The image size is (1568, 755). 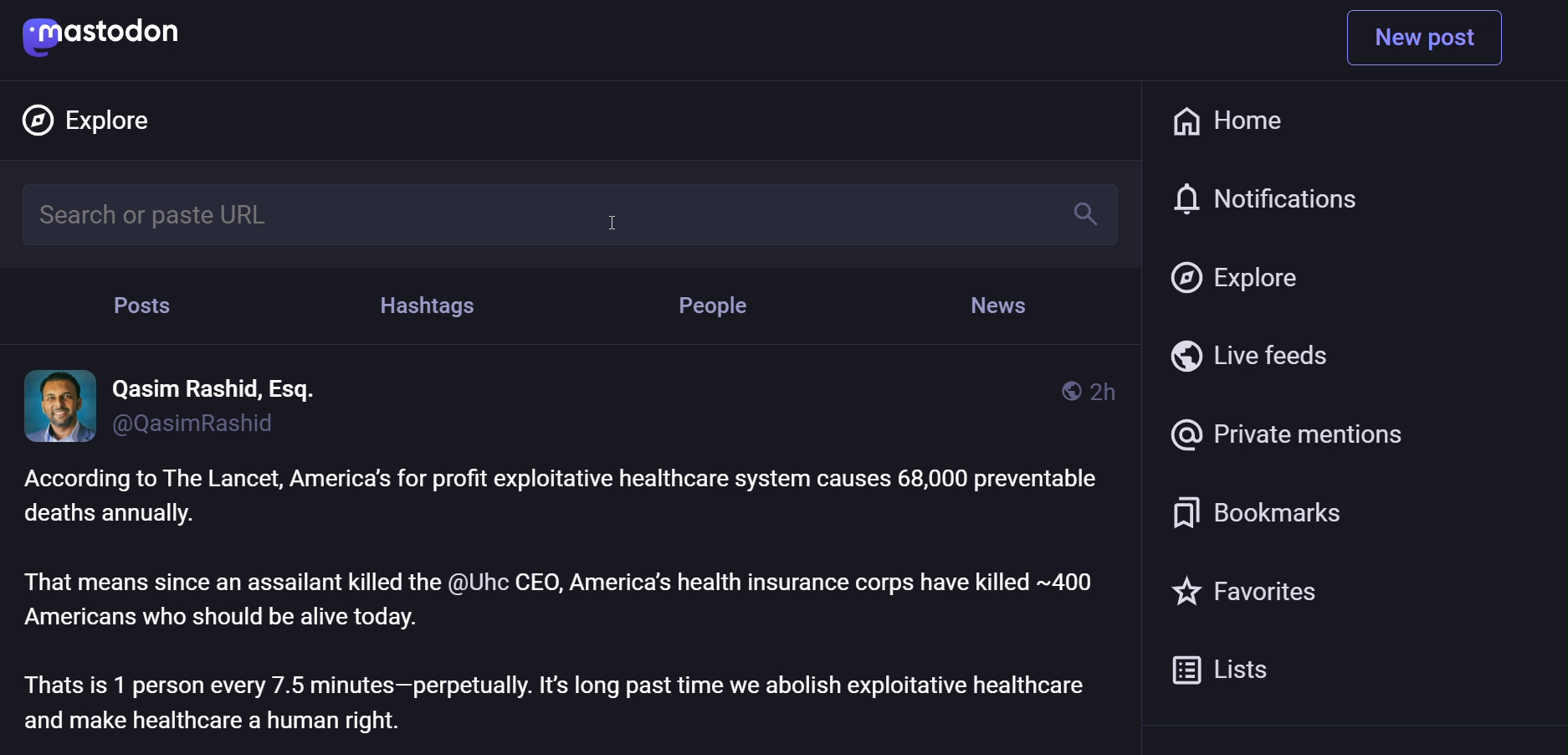 What do you see at coordinates (1284, 434) in the screenshot?
I see `private mention` at bounding box center [1284, 434].